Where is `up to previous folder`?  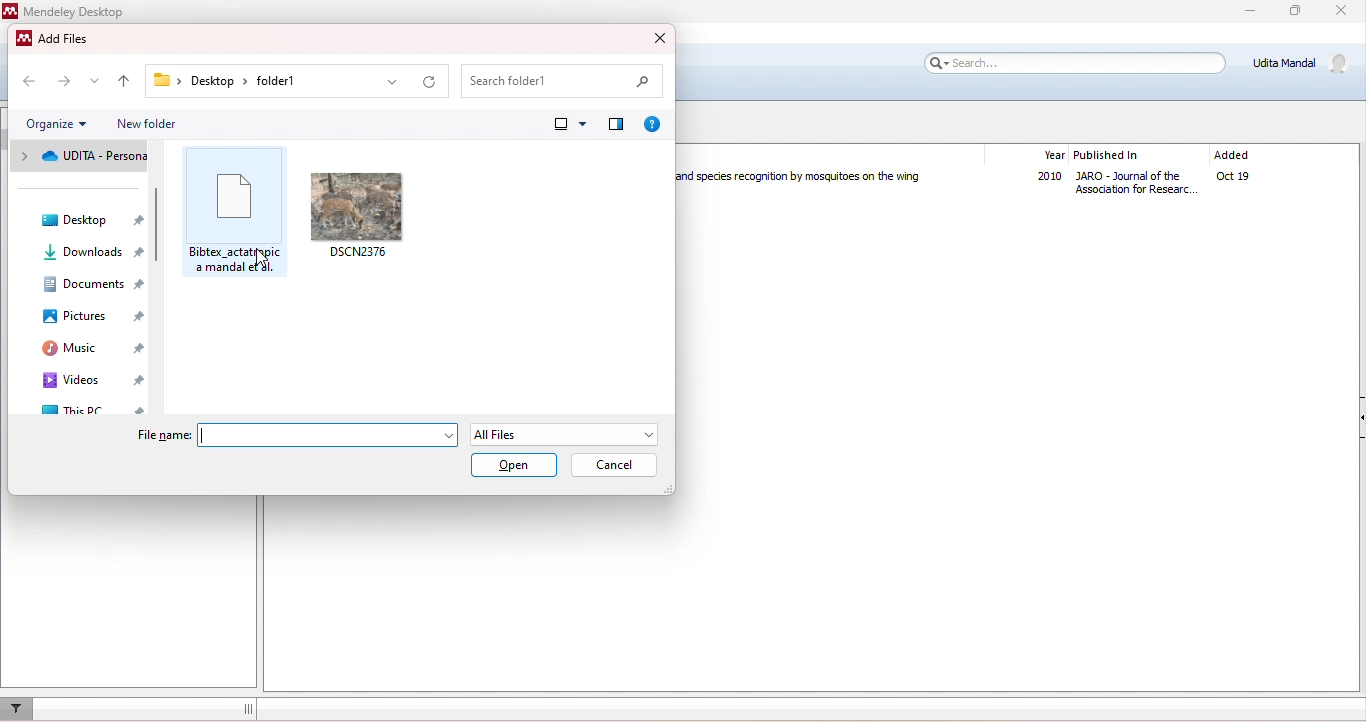 up to previous folder is located at coordinates (124, 80).